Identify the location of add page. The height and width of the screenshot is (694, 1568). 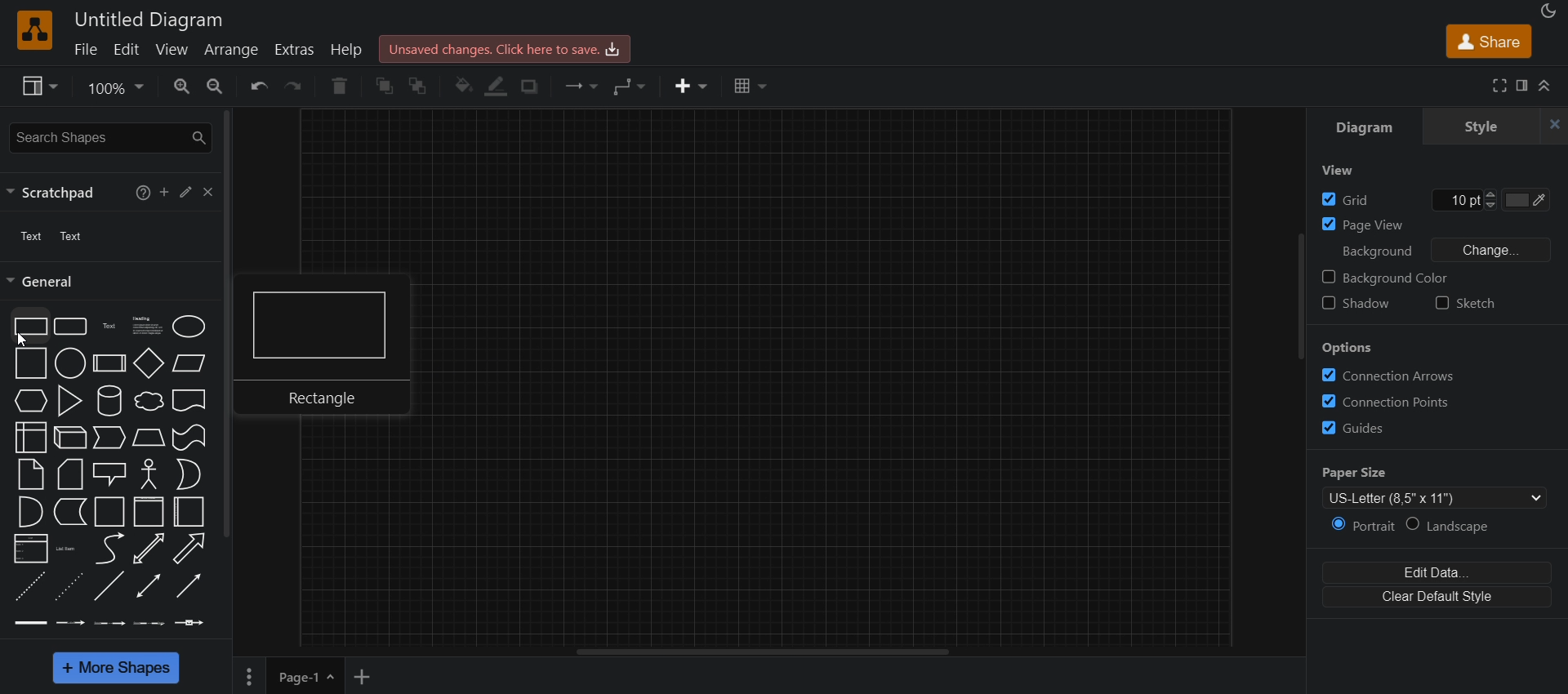
(364, 675).